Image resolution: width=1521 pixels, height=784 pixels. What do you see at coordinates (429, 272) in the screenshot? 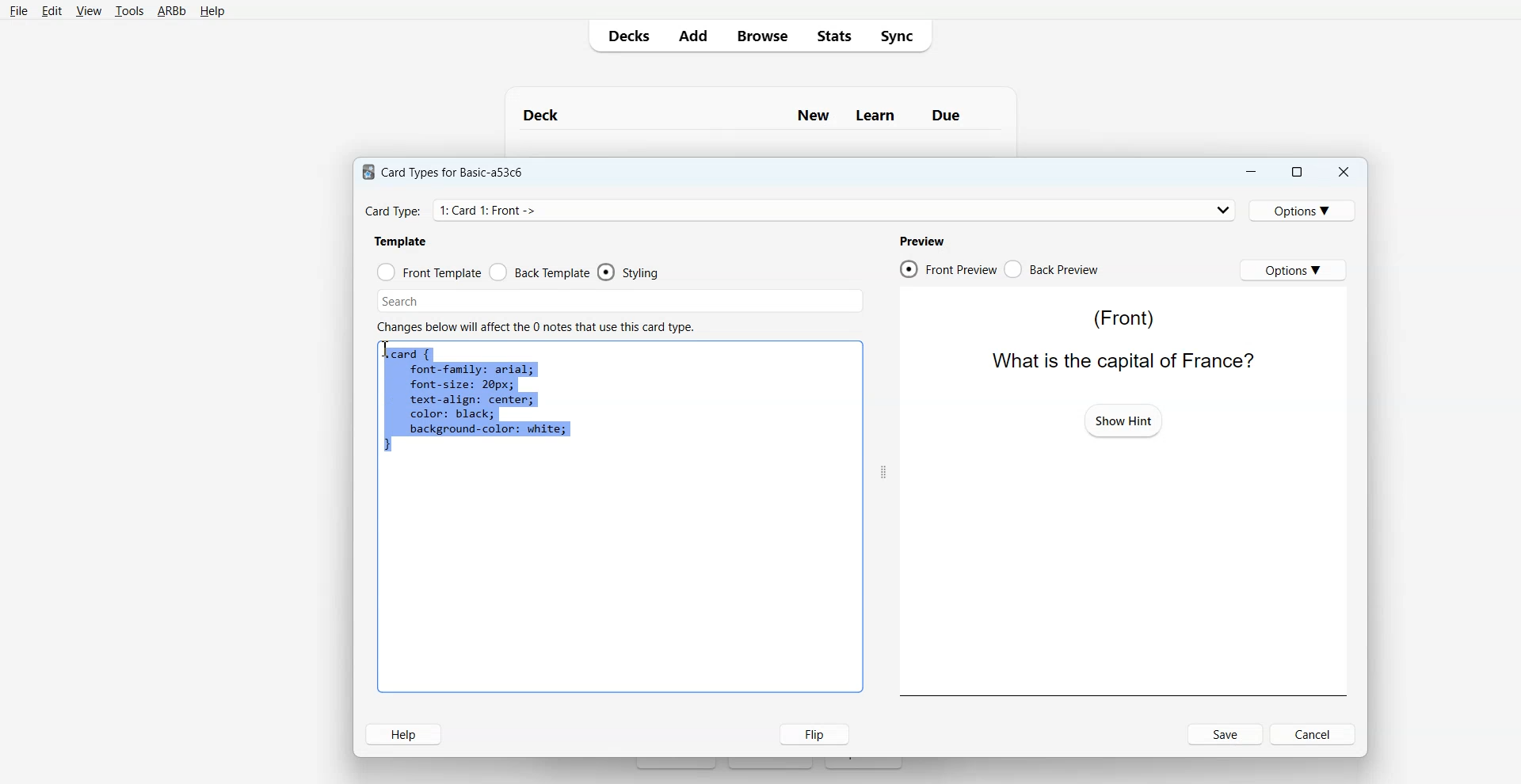
I see `Front Template` at bounding box center [429, 272].